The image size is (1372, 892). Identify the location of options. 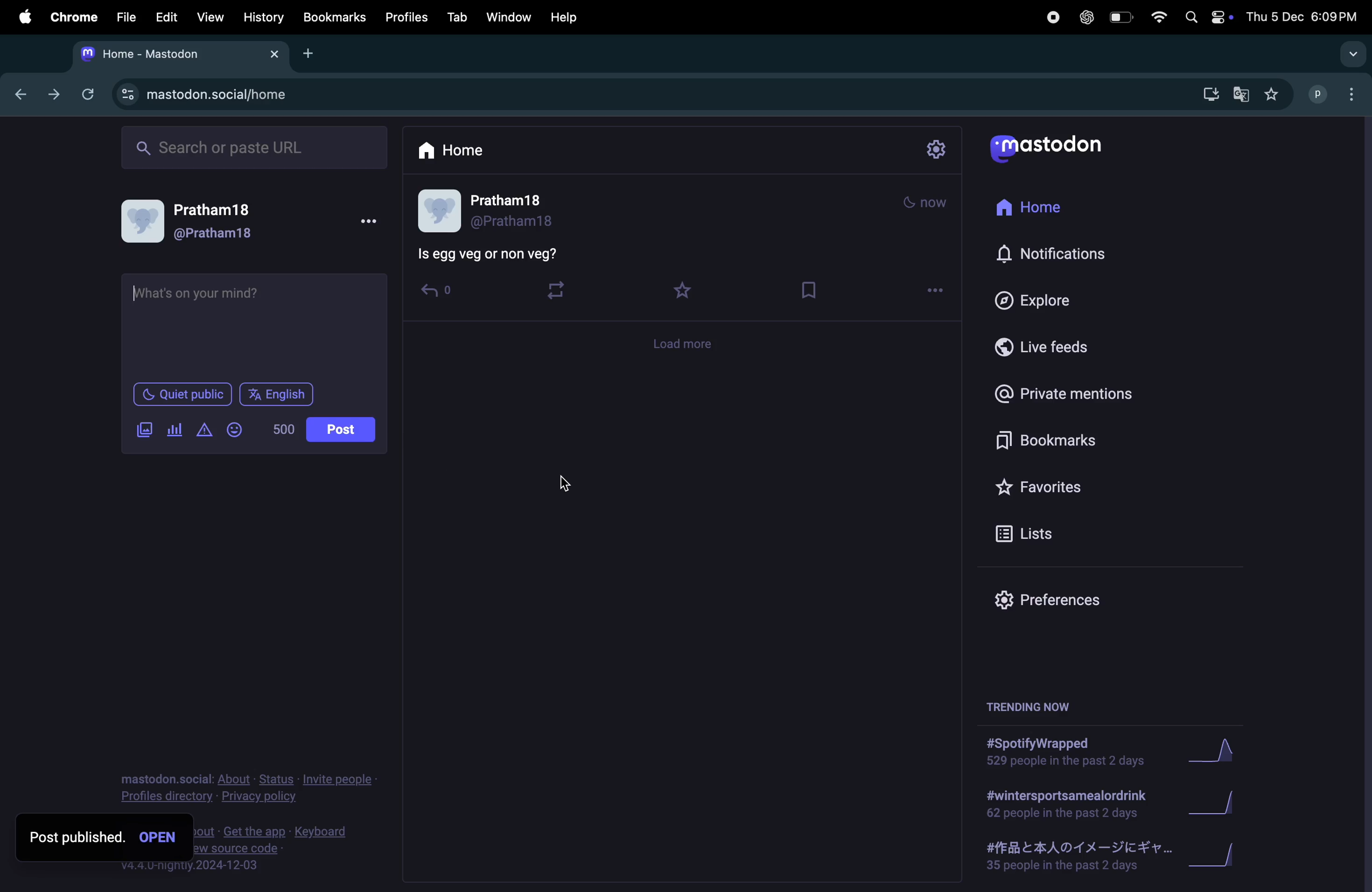
(372, 221).